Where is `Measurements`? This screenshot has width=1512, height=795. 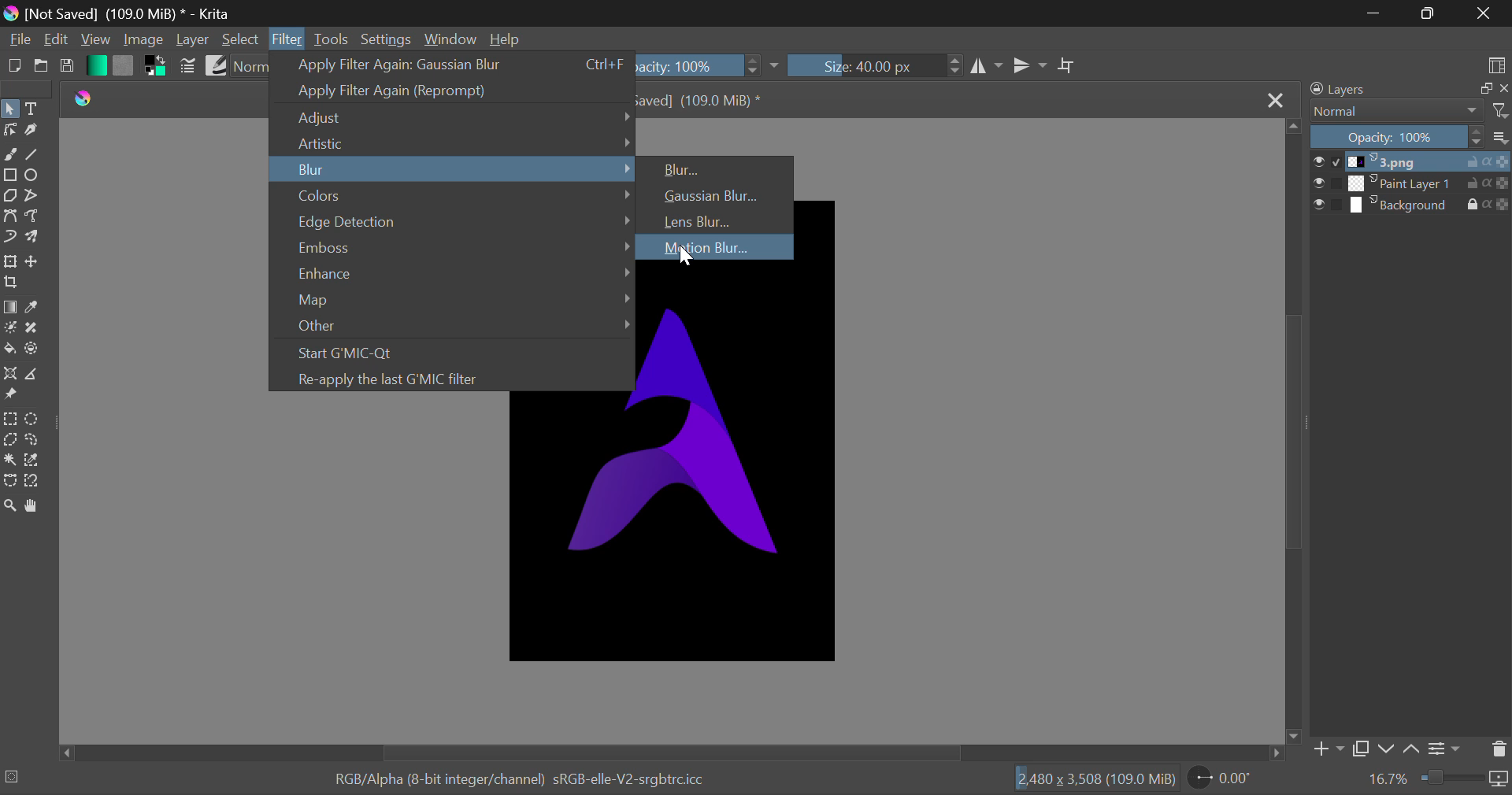 Measurements is located at coordinates (36, 374).